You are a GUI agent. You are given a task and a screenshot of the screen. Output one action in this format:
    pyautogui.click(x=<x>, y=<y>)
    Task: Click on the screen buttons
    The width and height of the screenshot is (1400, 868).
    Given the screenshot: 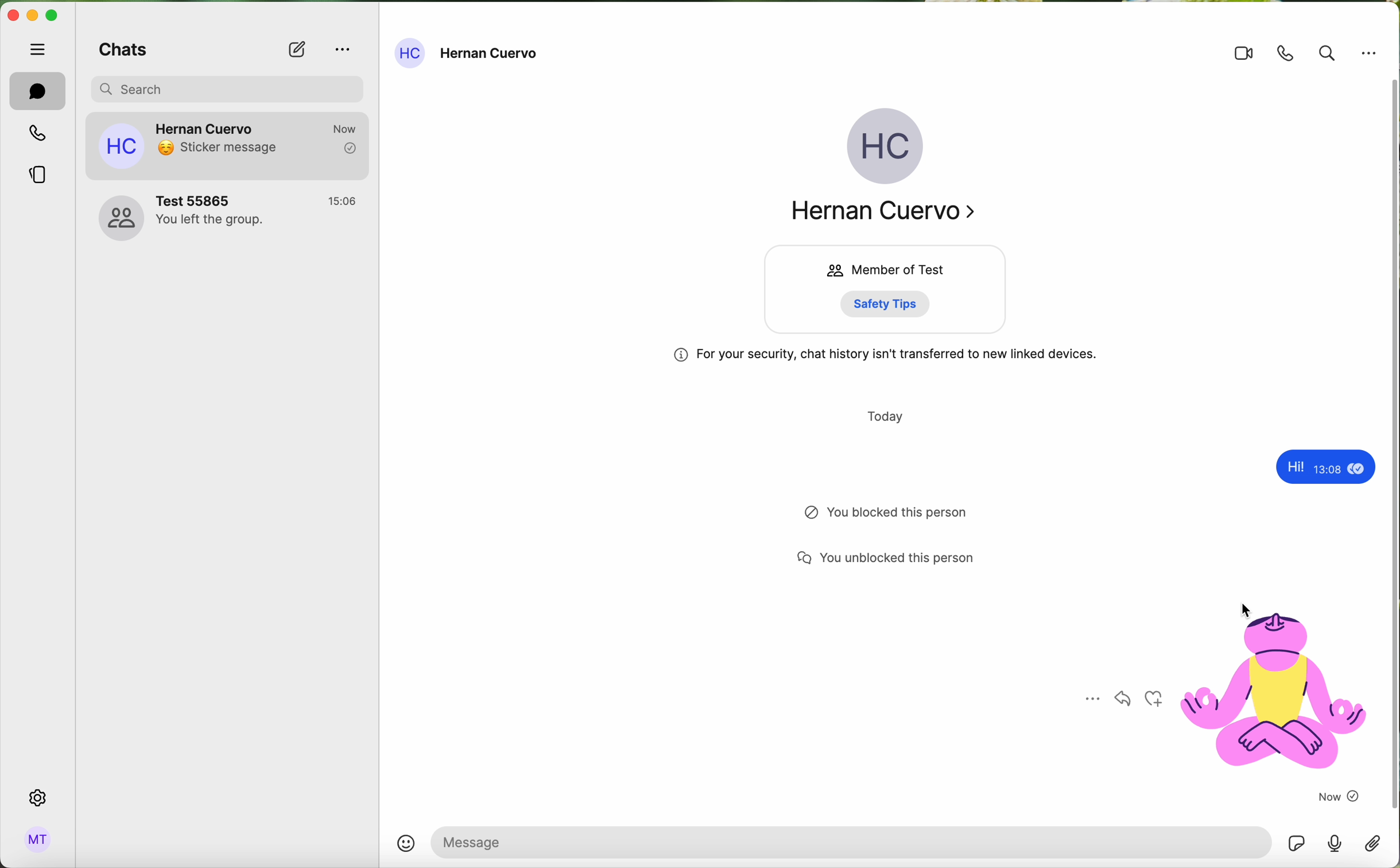 What is the action you would take?
    pyautogui.click(x=35, y=17)
    